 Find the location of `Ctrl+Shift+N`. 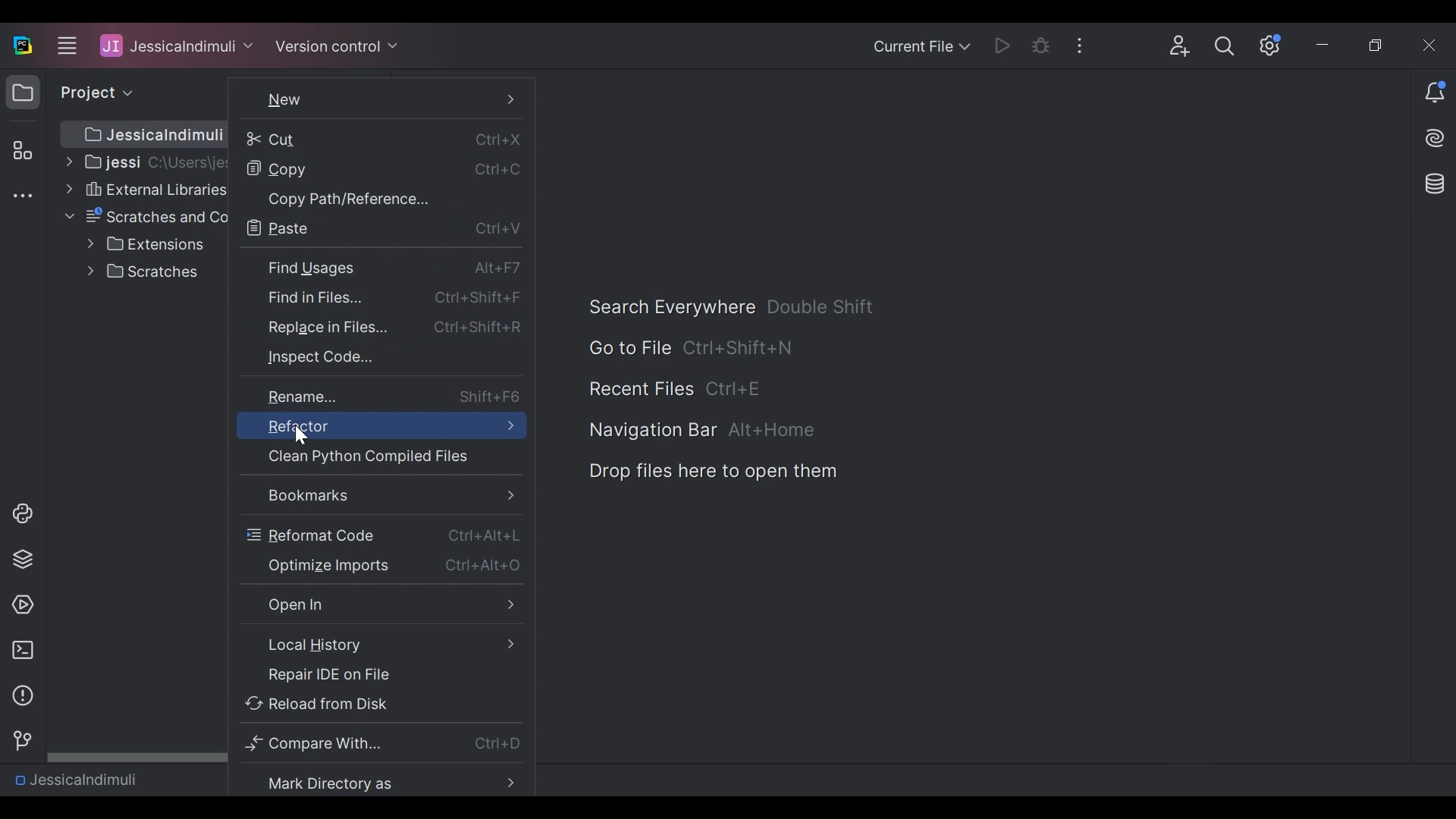

Ctrl+Shift+N is located at coordinates (739, 347).